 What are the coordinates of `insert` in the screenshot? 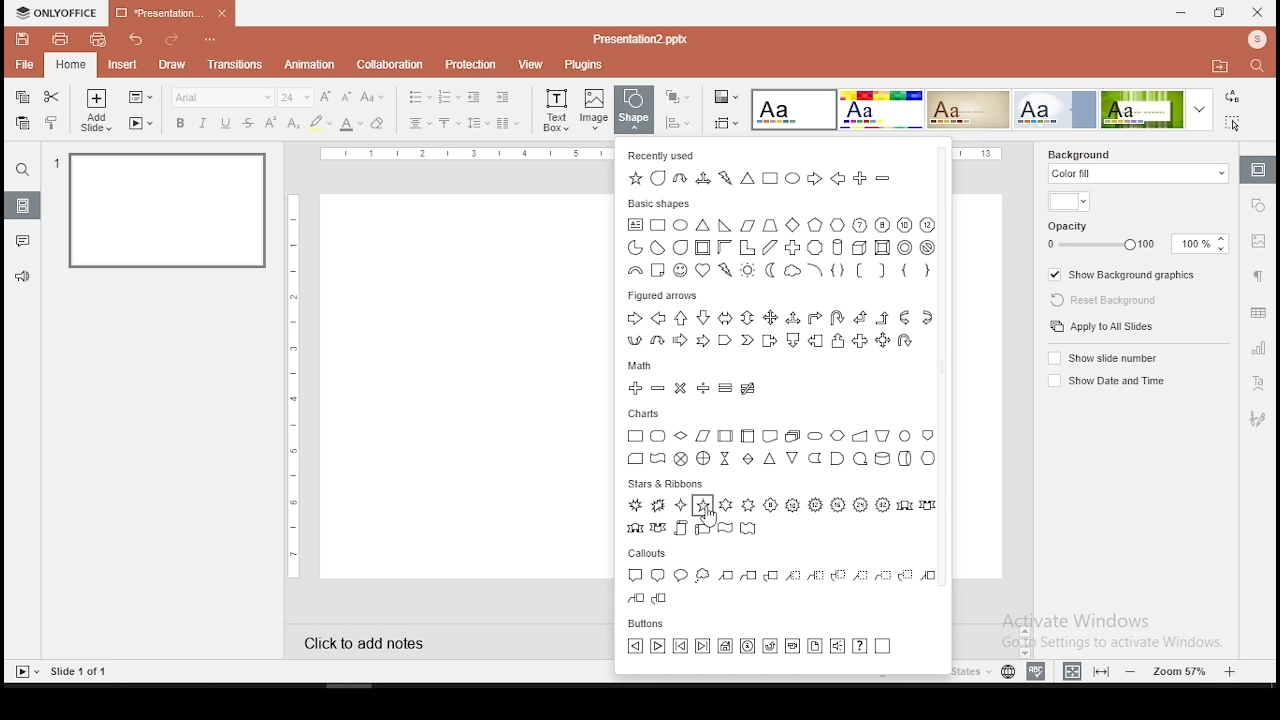 It's located at (121, 63).